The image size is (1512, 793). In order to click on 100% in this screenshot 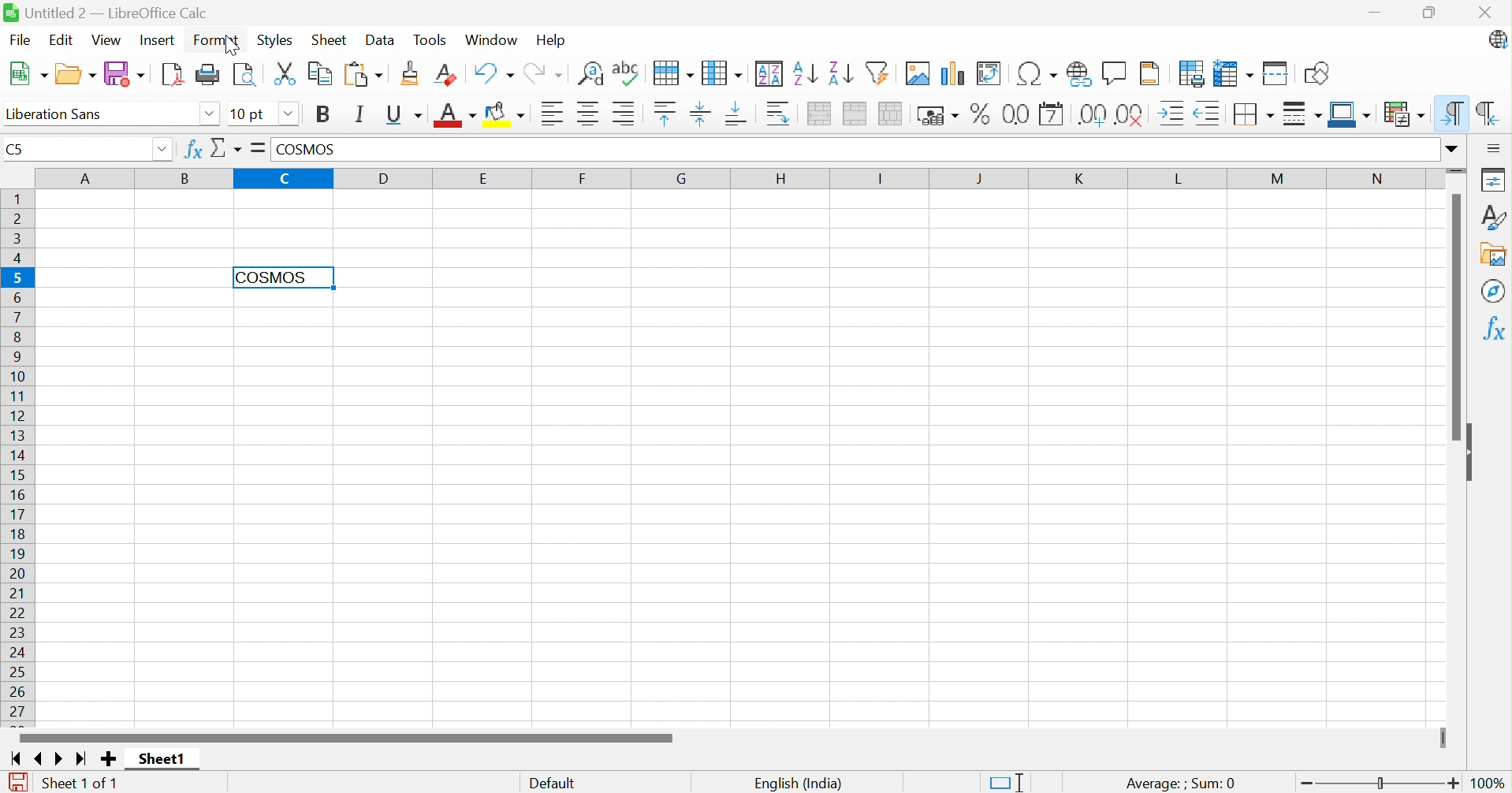, I will do `click(1492, 784)`.